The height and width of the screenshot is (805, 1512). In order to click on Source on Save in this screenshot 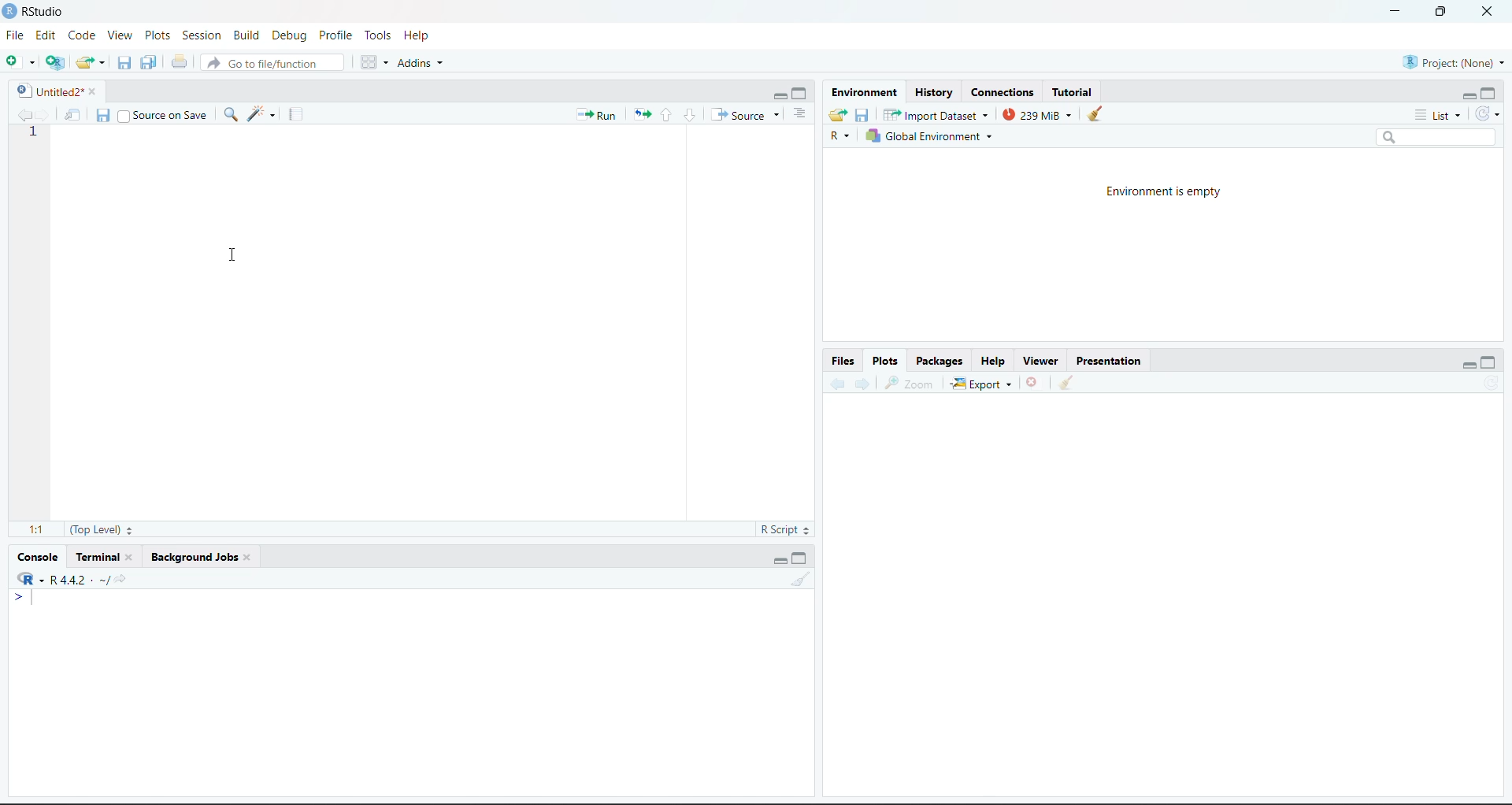, I will do `click(165, 114)`.